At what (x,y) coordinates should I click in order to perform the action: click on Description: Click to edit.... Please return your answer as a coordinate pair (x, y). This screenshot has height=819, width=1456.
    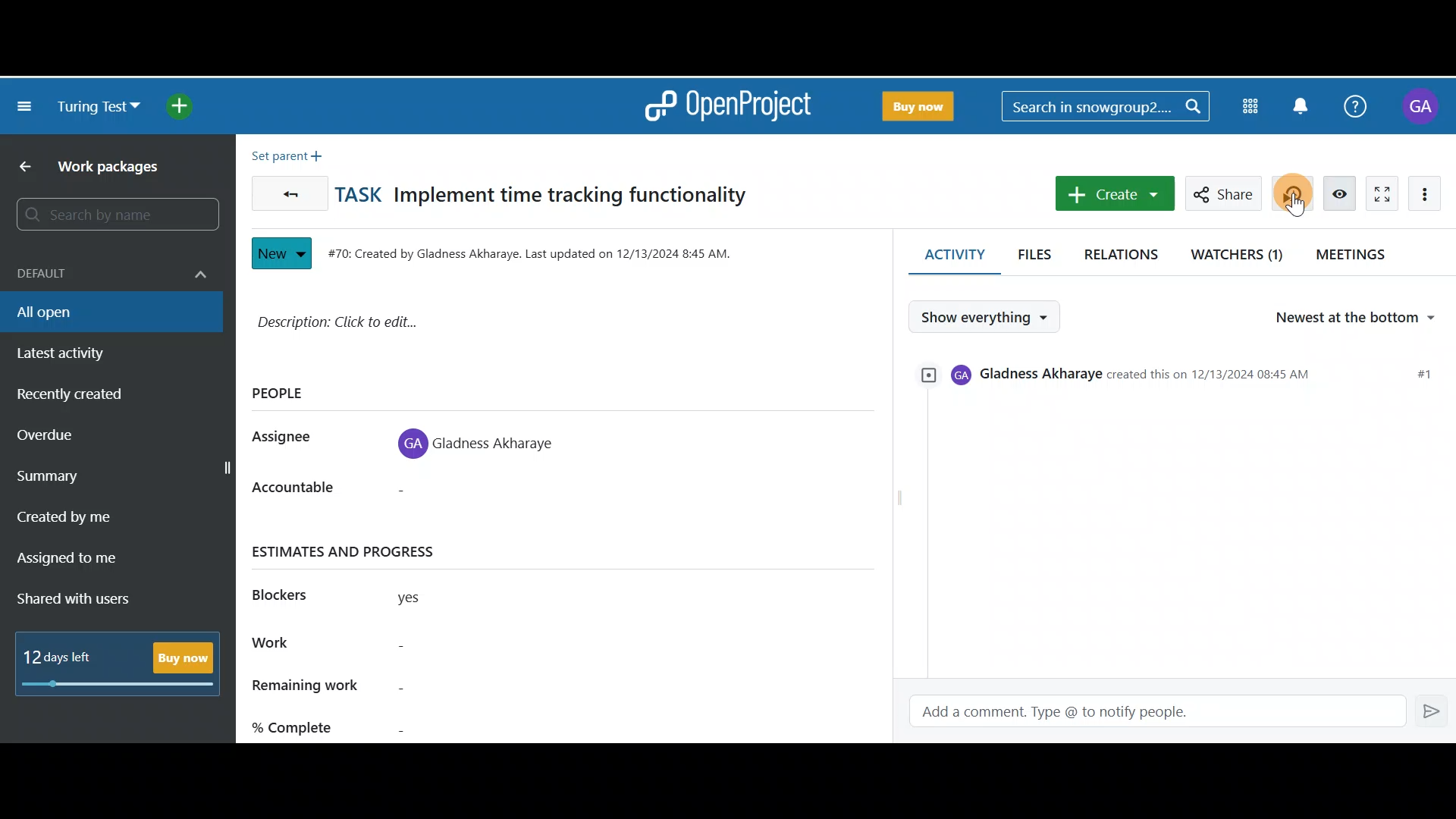
    Looking at the image, I should click on (500, 329).